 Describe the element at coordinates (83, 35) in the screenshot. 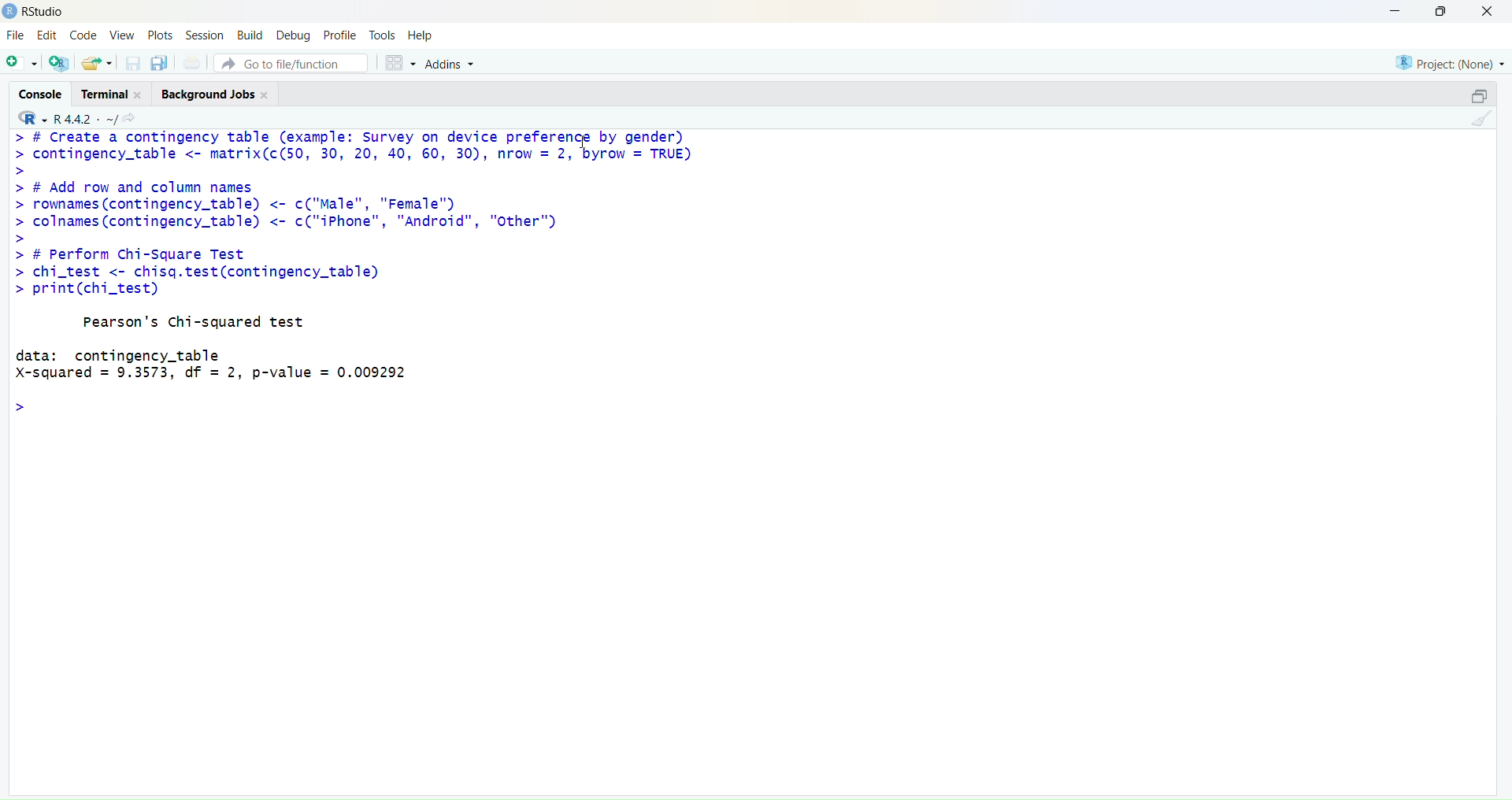

I see `Code` at that location.